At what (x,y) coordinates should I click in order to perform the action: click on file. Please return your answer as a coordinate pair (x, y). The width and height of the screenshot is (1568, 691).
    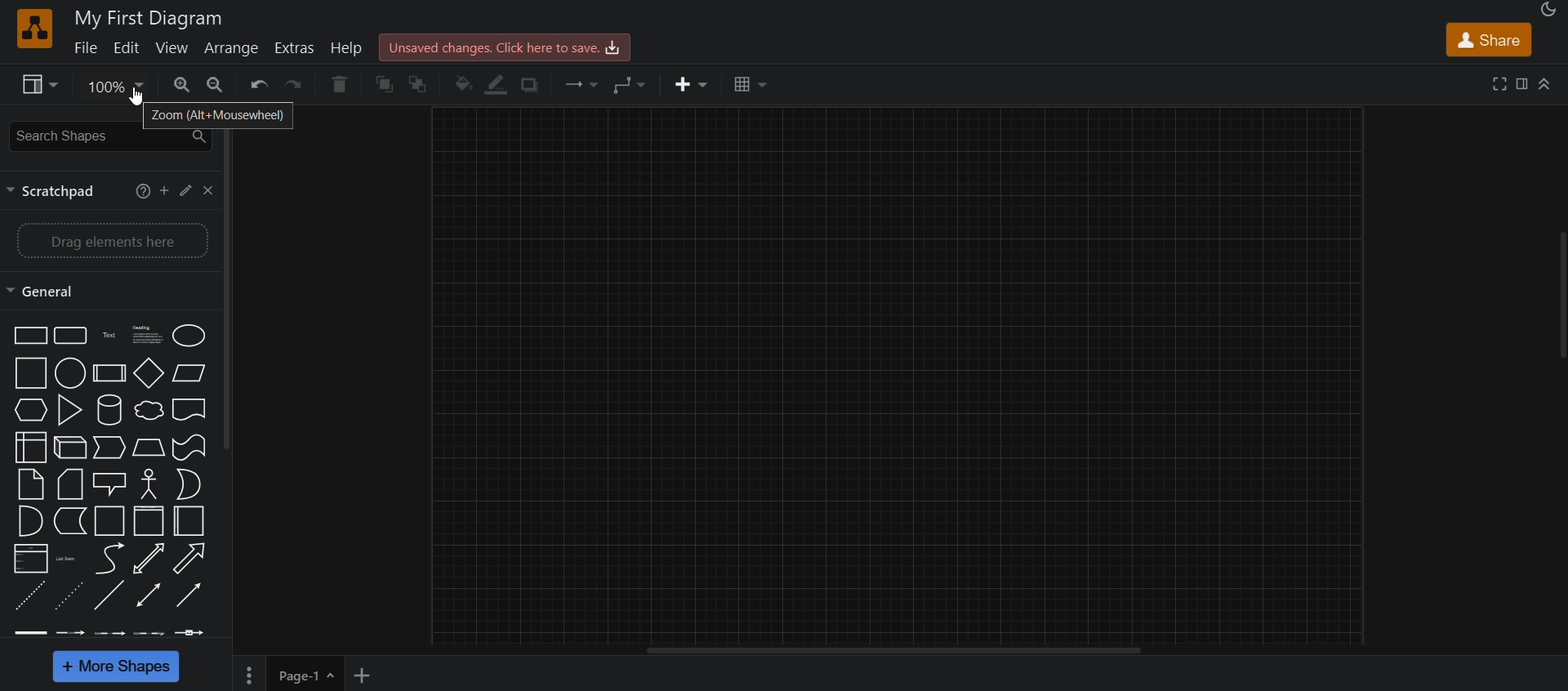
    Looking at the image, I should click on (85, 47).